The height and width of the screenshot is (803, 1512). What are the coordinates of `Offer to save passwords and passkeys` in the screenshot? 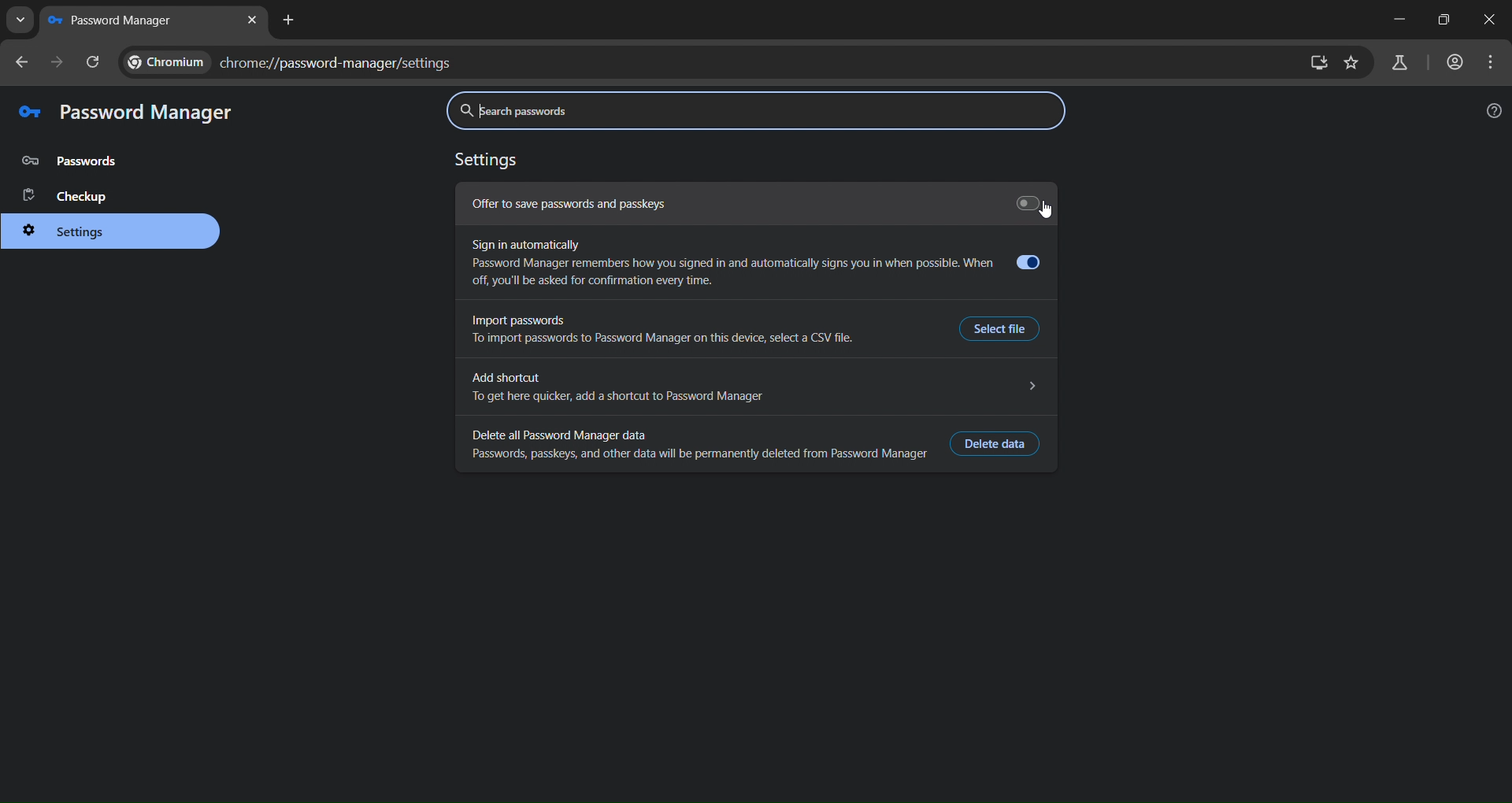 It's located at (573, 204).